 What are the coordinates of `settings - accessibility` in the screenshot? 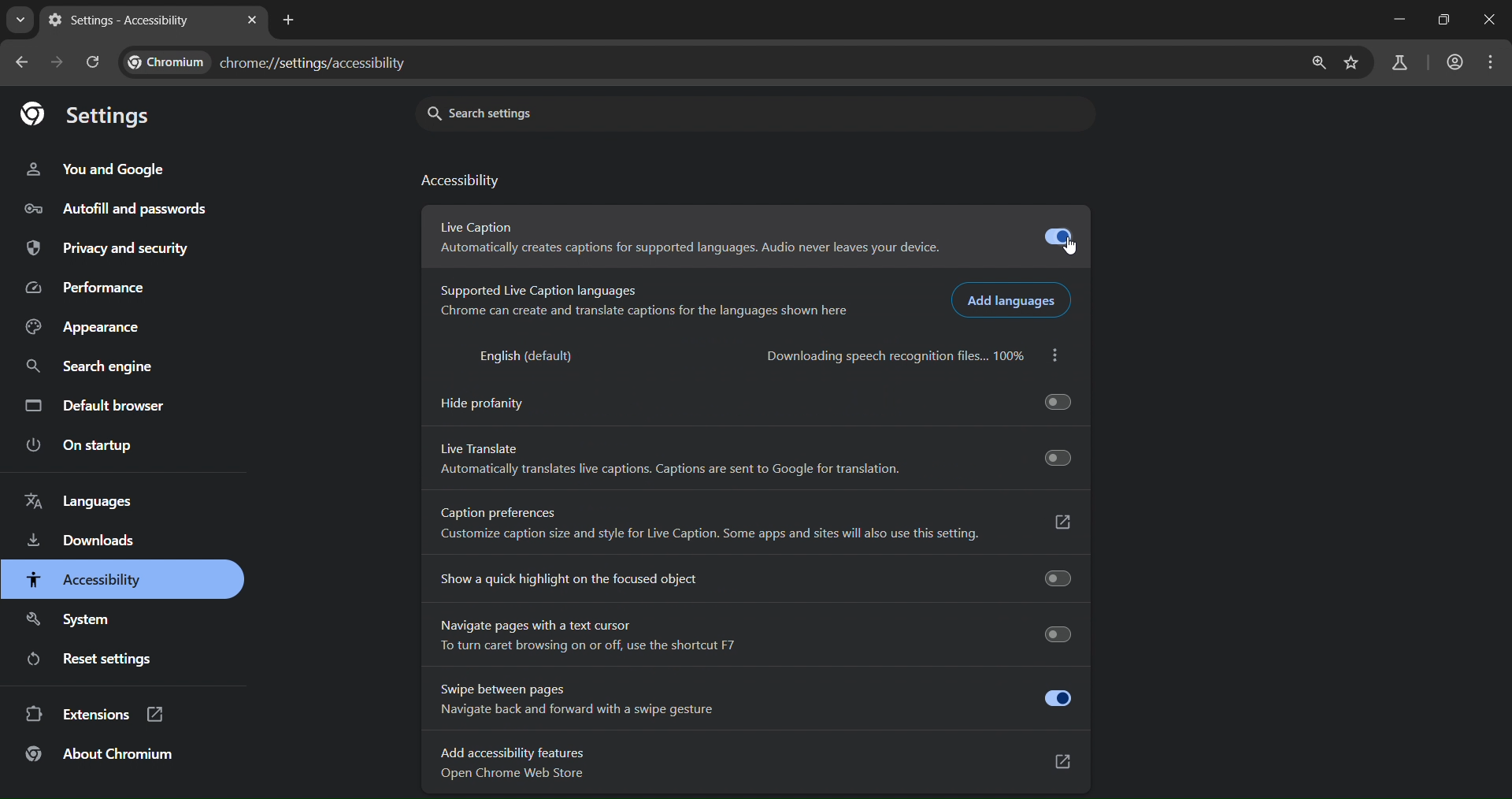 It's located at (132, 18).